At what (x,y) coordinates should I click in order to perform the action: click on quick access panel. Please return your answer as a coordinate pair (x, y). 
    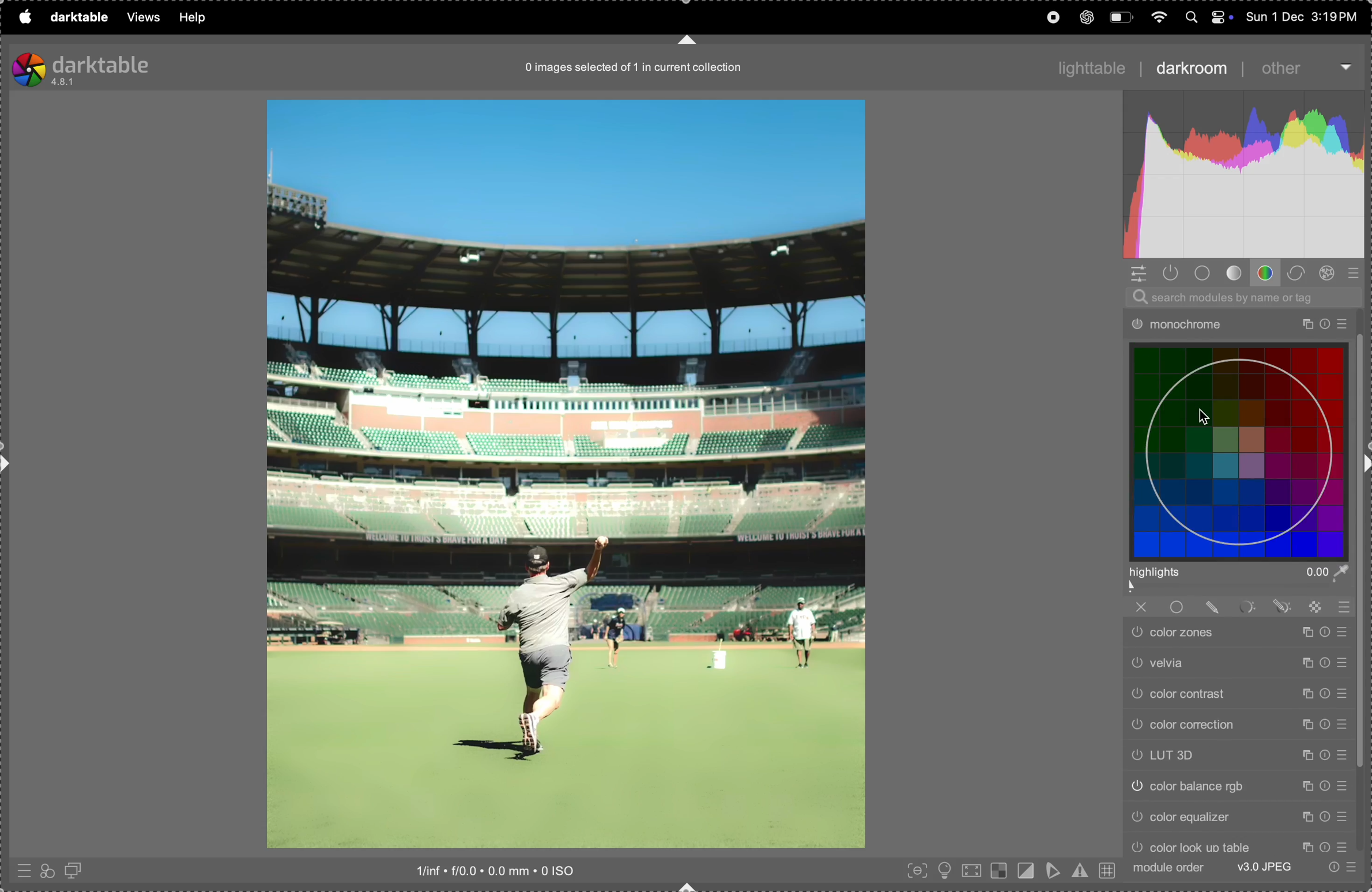
    Looking at the image, I should click on (1137, 273).